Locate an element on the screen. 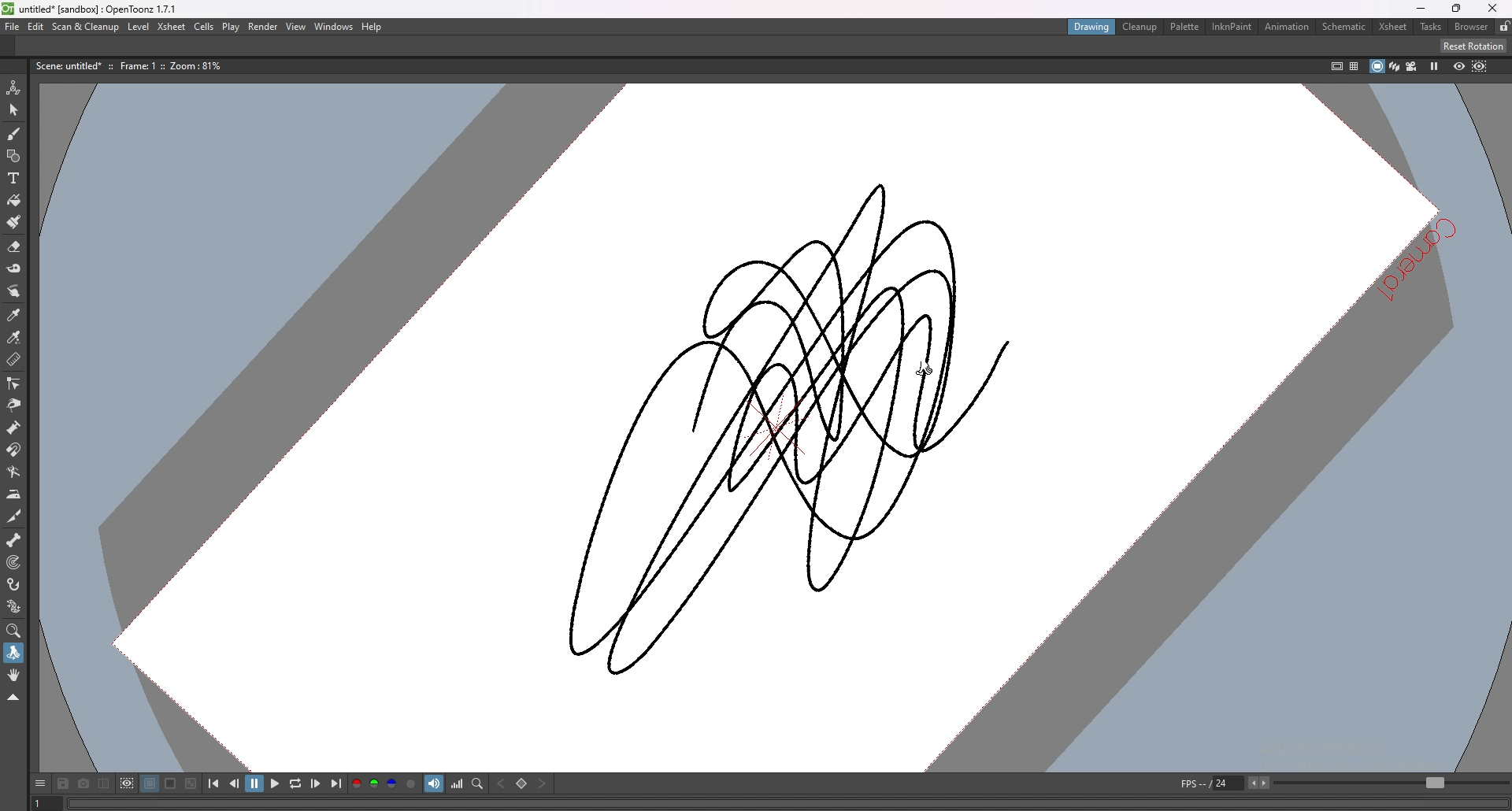  hand is located at coordinates (13, 675).